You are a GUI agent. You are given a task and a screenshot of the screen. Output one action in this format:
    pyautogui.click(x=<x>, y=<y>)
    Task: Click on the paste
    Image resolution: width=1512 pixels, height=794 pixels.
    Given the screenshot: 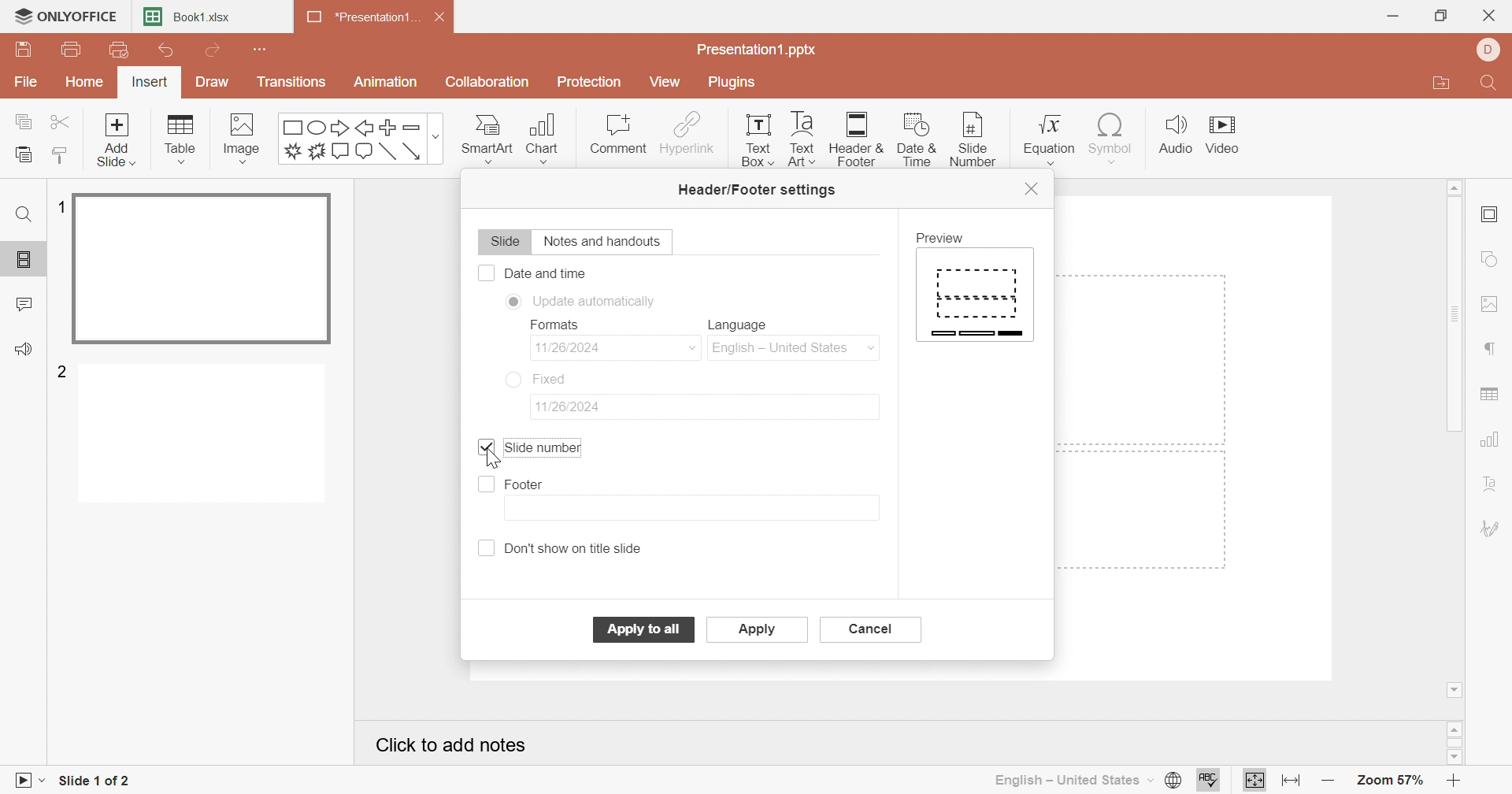 What is the action you would take?
    pyautogui.click(x=21, y=155)
    